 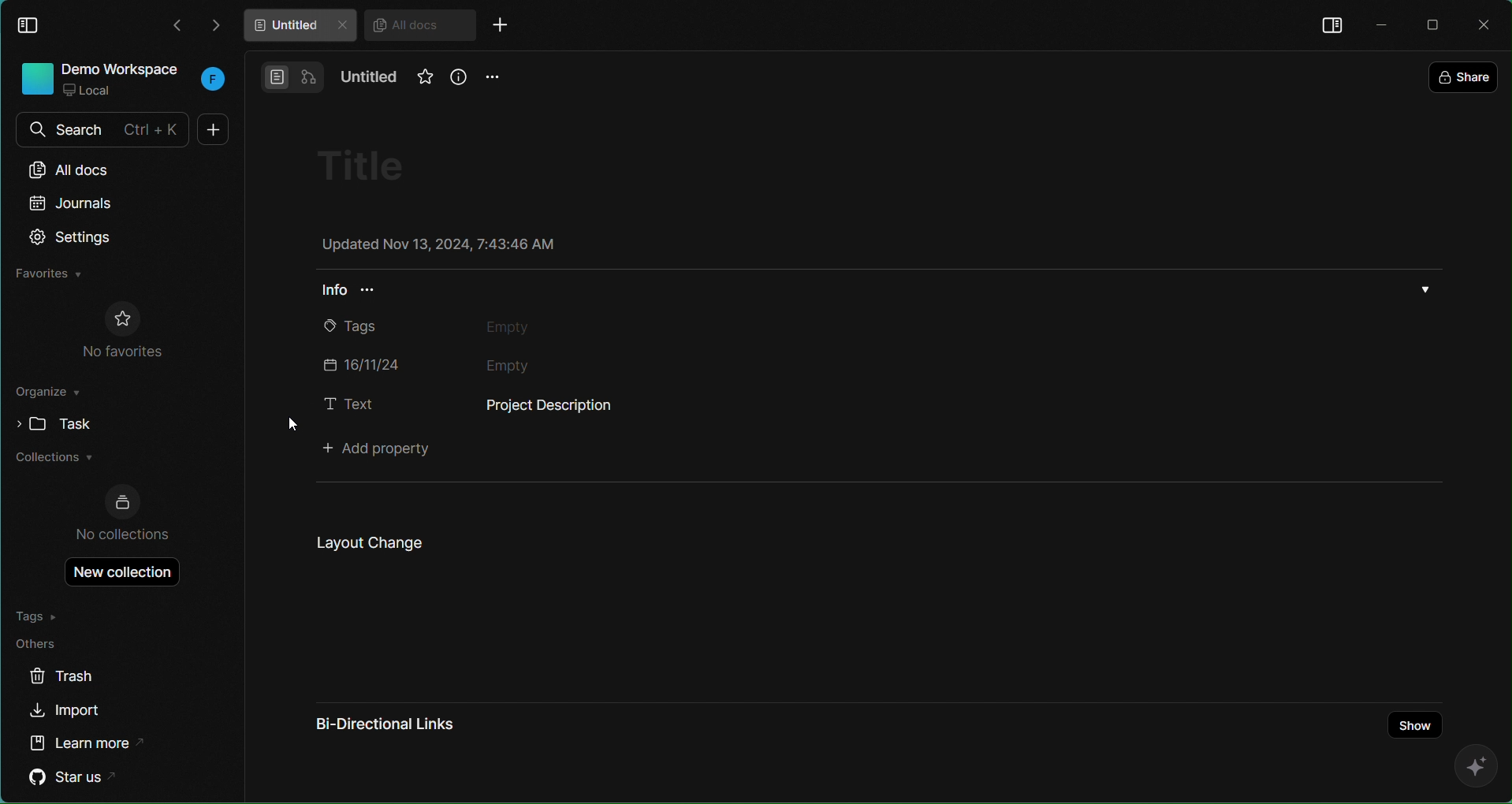 What do you see at coordinates (1436, 24) in the screenshot?
I see `maximize` at bounding box center [1436, 24].